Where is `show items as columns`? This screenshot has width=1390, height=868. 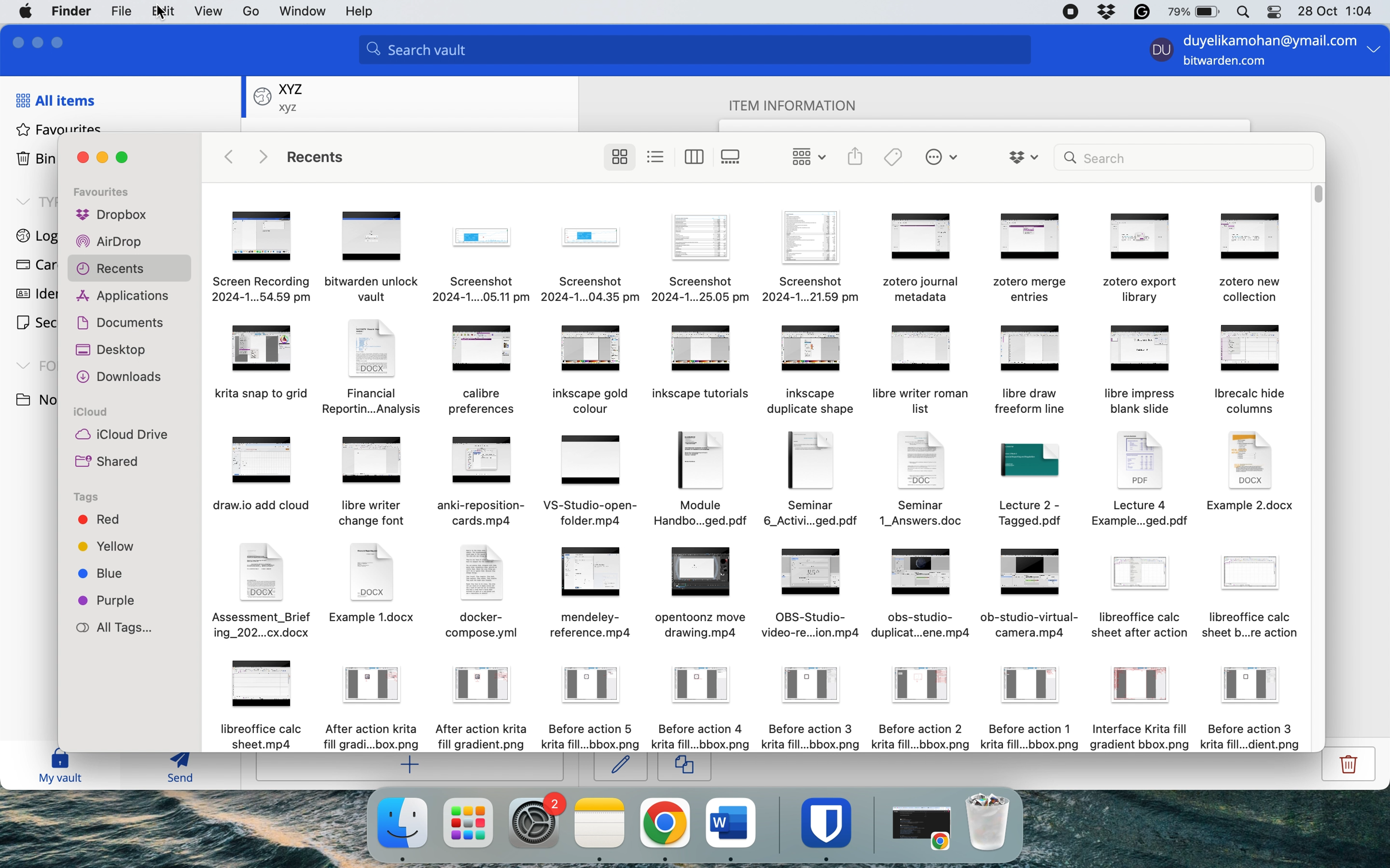
show items as columns is located at coordinates (695, 156).